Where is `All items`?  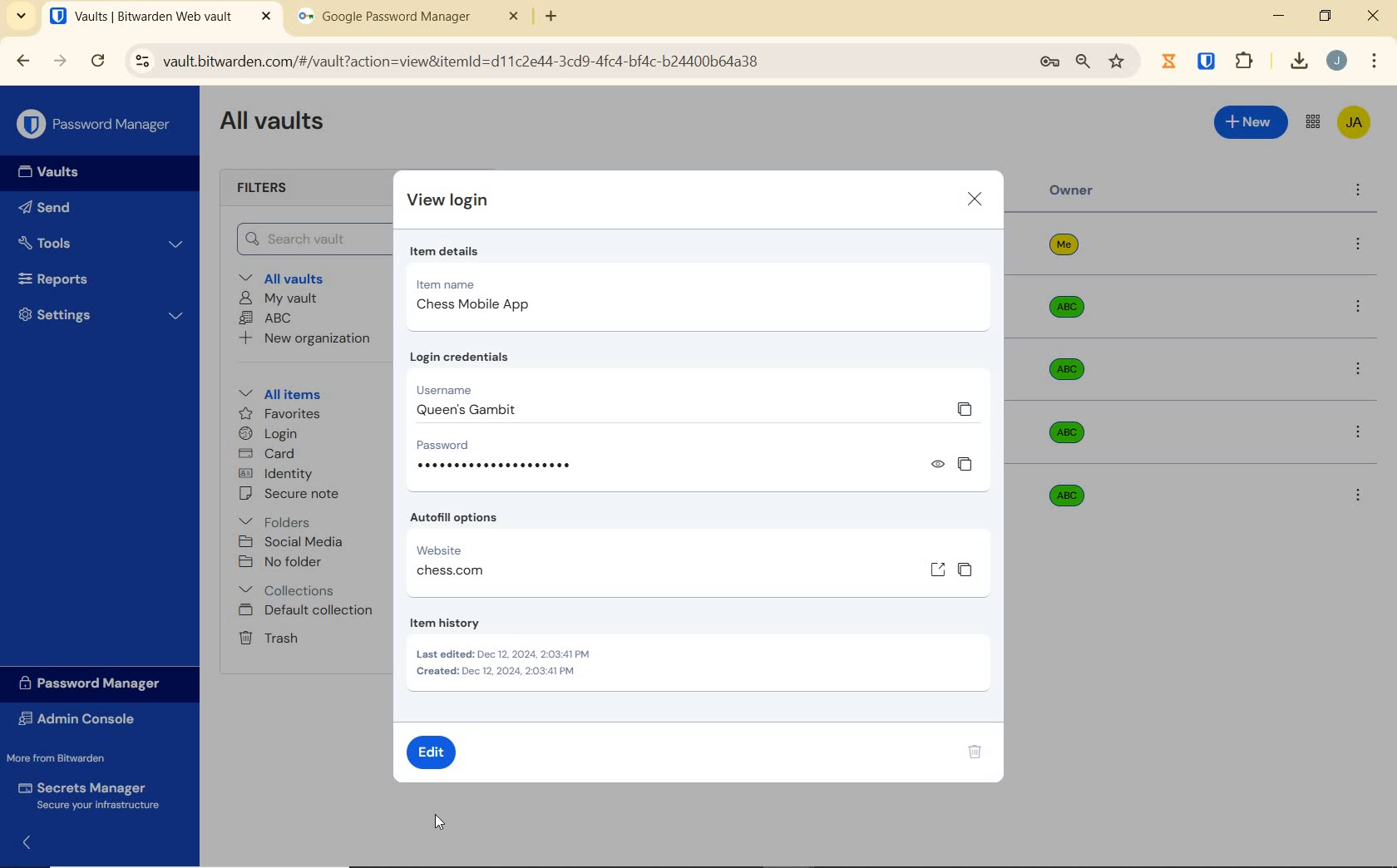
All items is located at coordinates (277, 392).